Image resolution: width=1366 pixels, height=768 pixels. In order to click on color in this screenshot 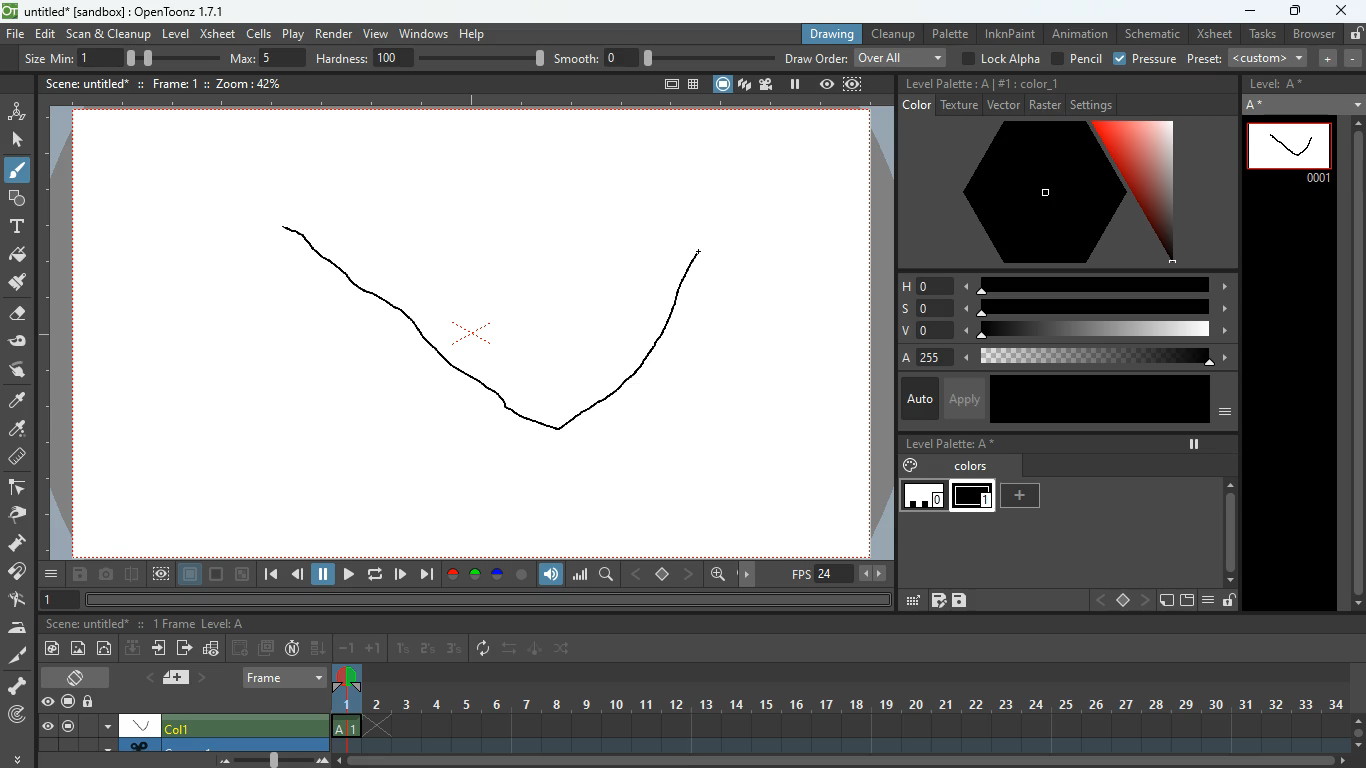, I will do `click(1048, 193)`.